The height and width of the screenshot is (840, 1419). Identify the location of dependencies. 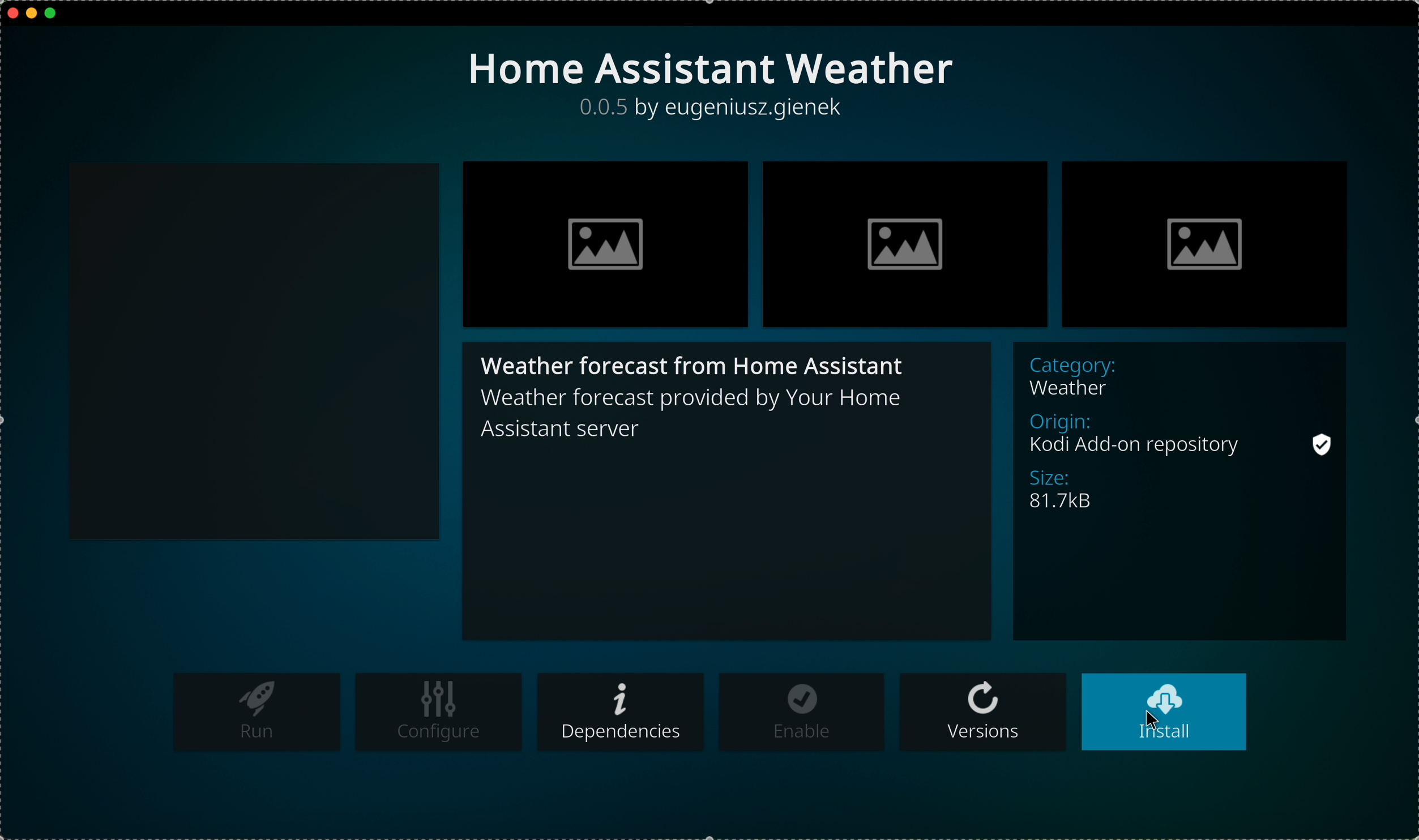
(621, 711).